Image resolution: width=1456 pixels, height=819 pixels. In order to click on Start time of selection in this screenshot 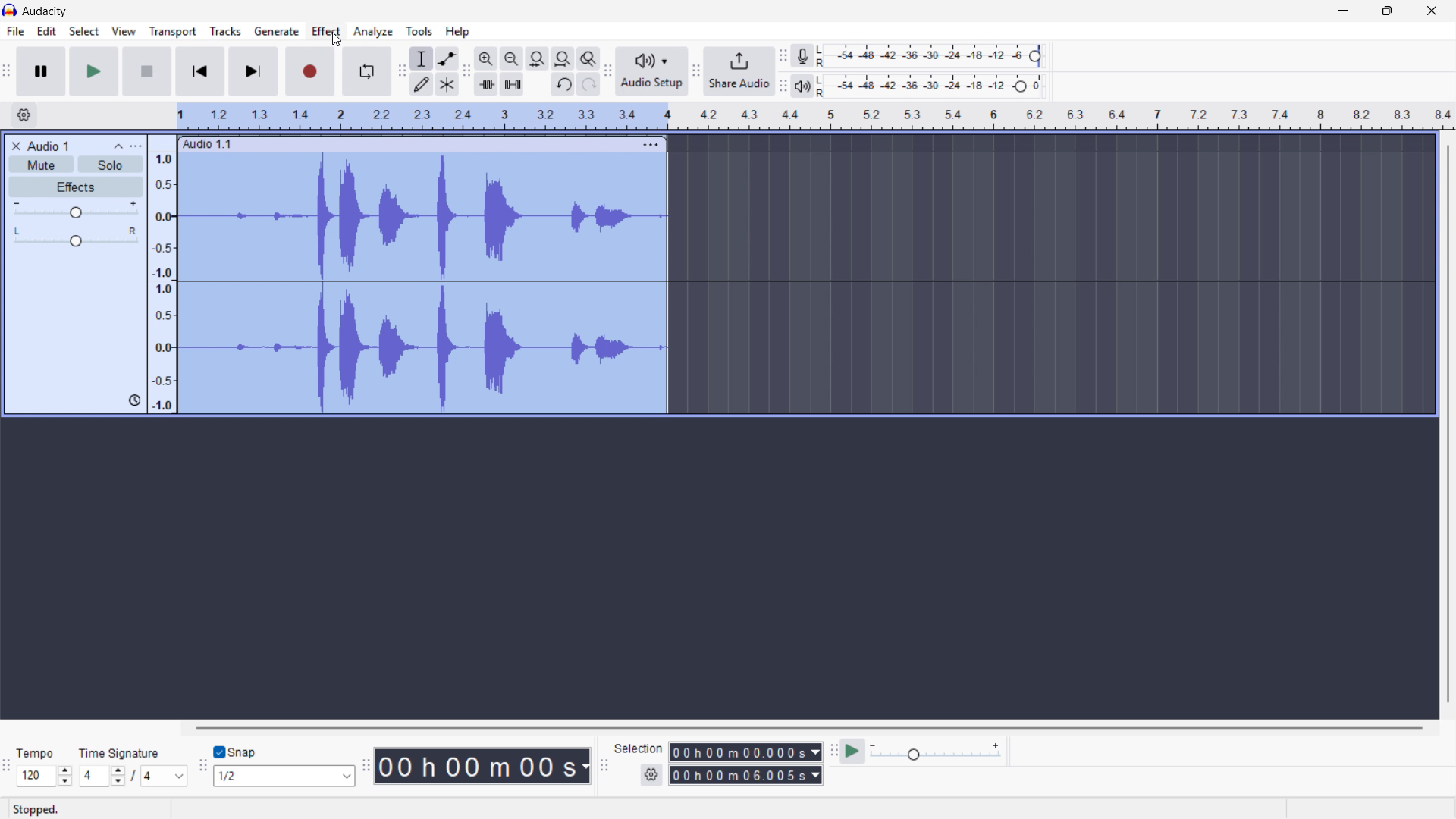, I will do `click(745, 752)`.